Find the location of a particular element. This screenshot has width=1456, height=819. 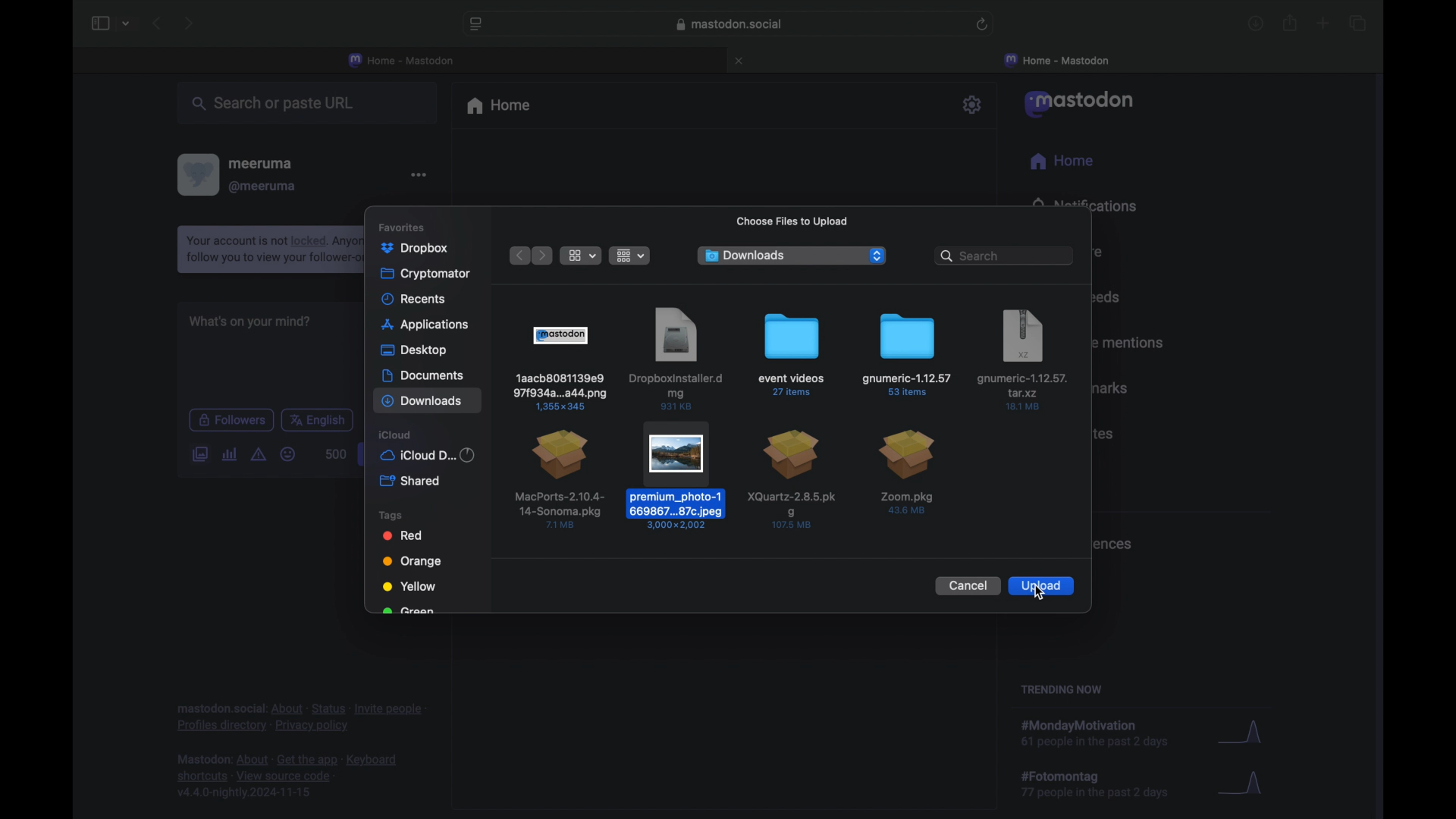

word  count is located at coordinates (334, 454).